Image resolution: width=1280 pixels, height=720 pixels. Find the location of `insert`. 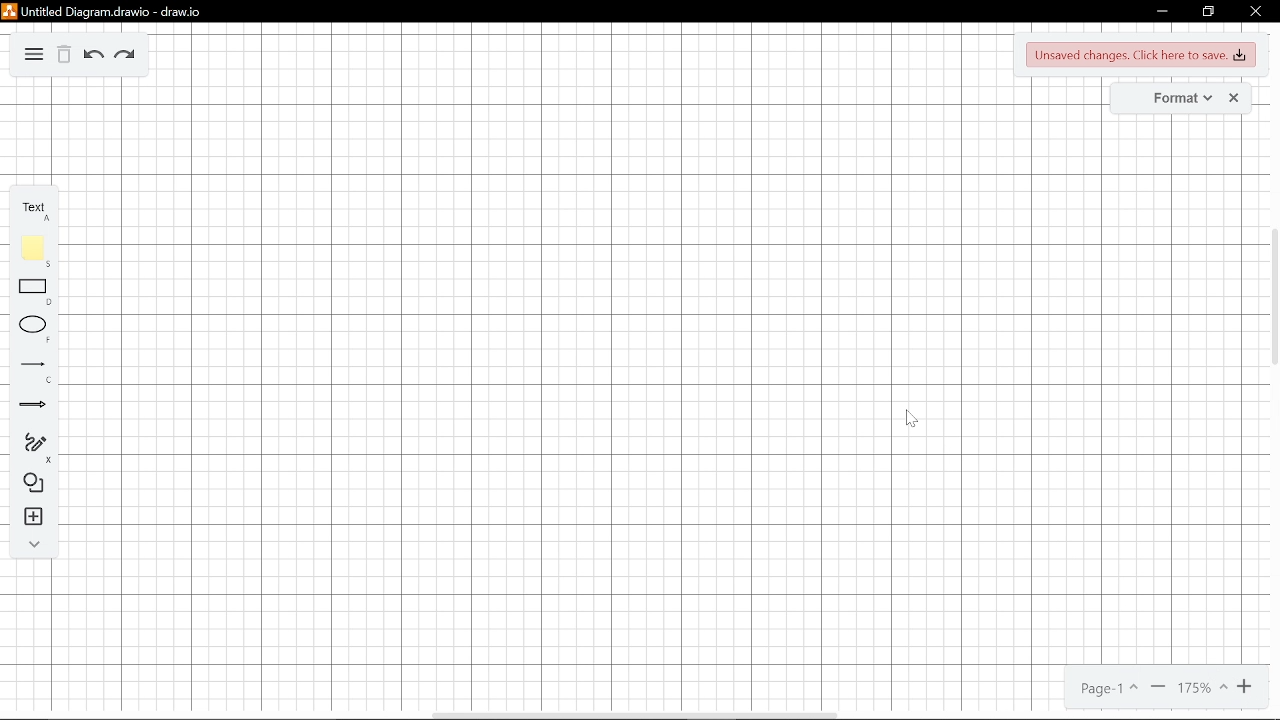

insert is located at coordinates (26, 518).